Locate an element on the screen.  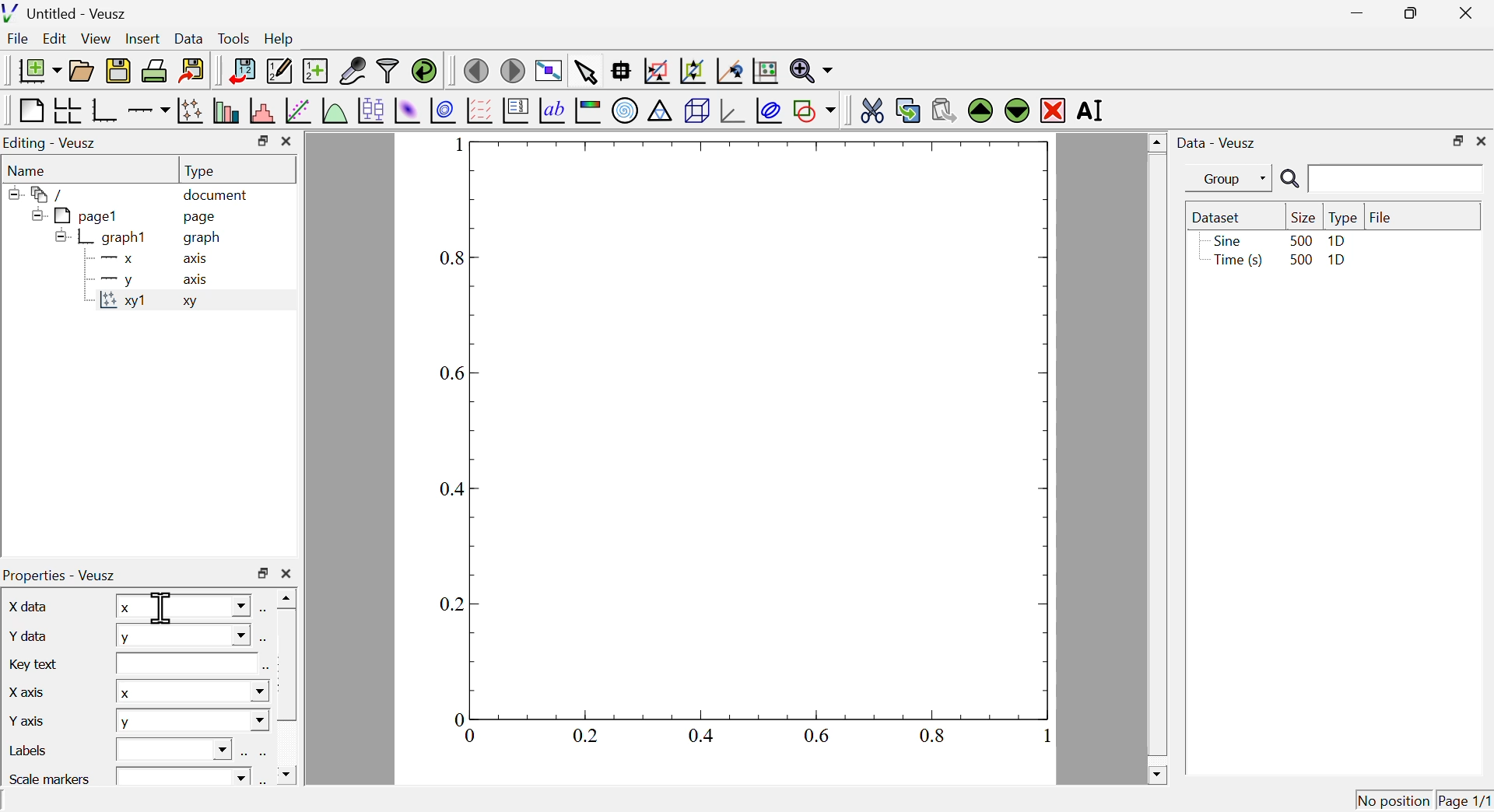
import data into veusz is located at coordinates (240, 72).